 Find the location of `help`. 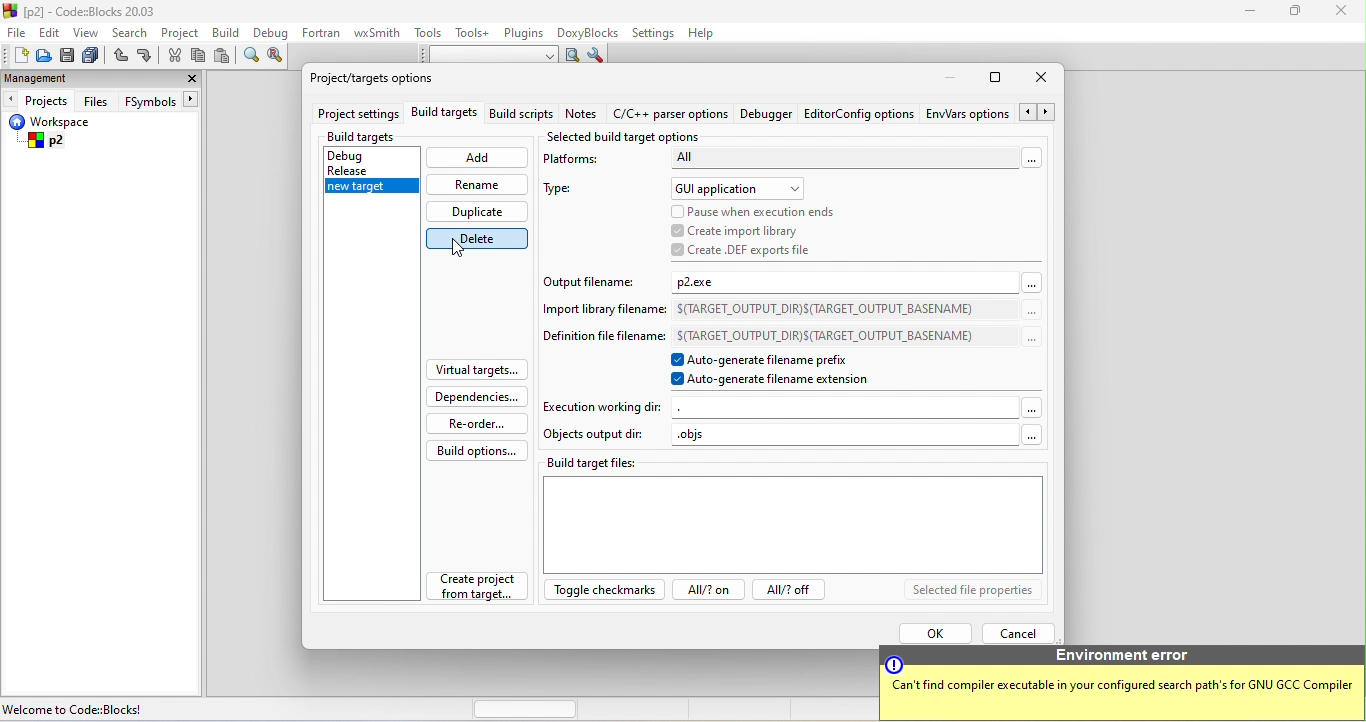

help is located at coordinates (710, 34).